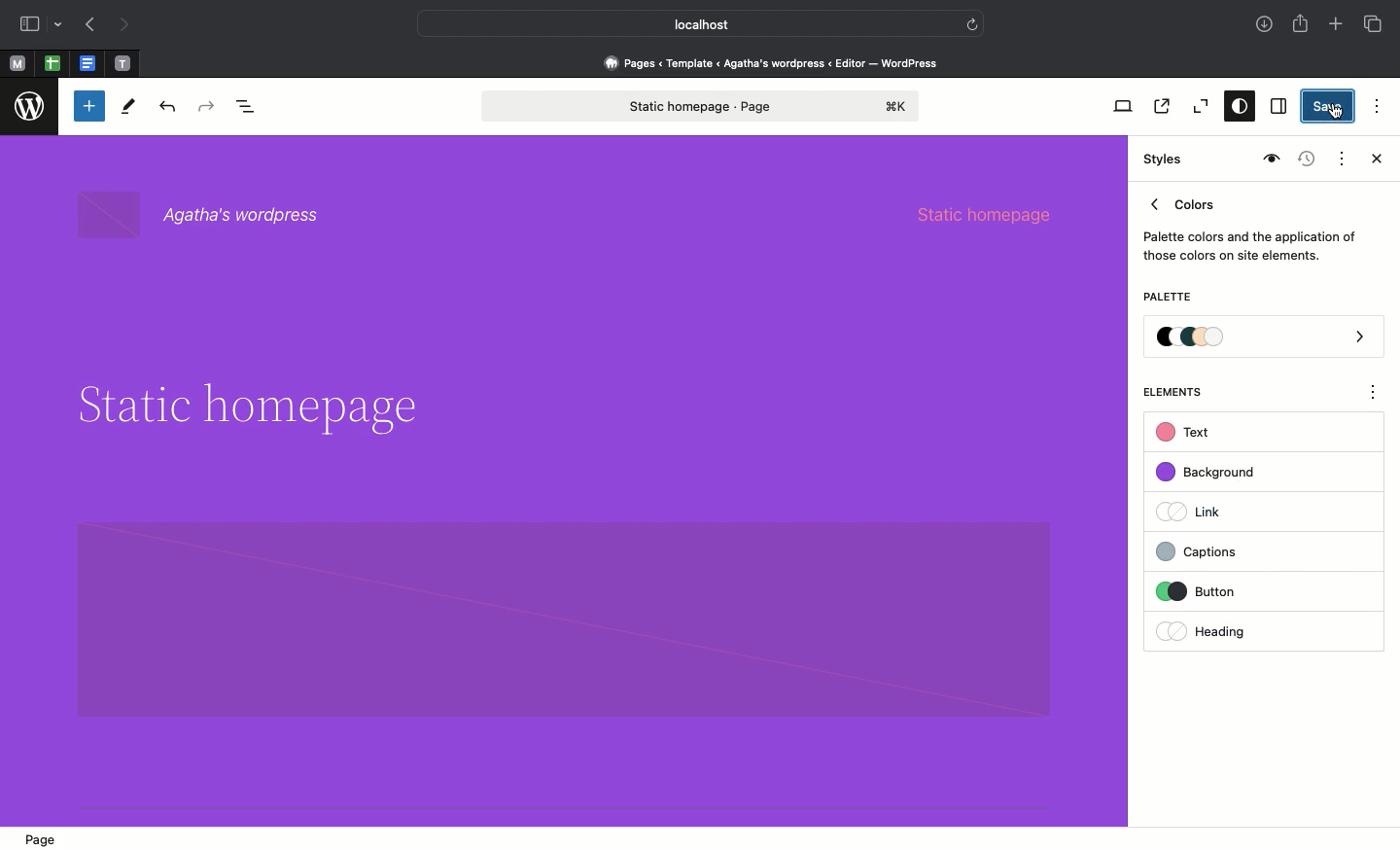  Describe the element at coordinates (89, 64) in the screenshot. I see `Pinned tab` at that location.